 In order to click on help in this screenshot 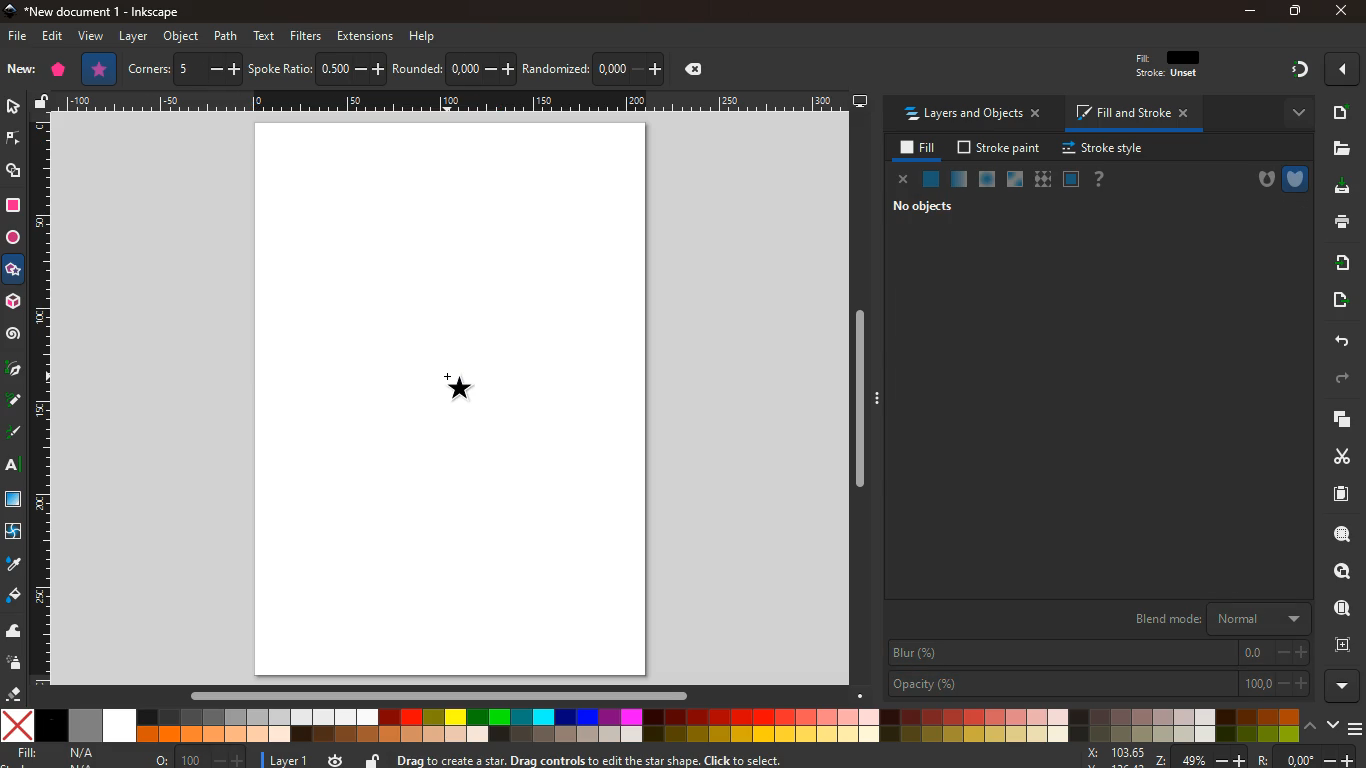, I will do `click(424, 38)`.